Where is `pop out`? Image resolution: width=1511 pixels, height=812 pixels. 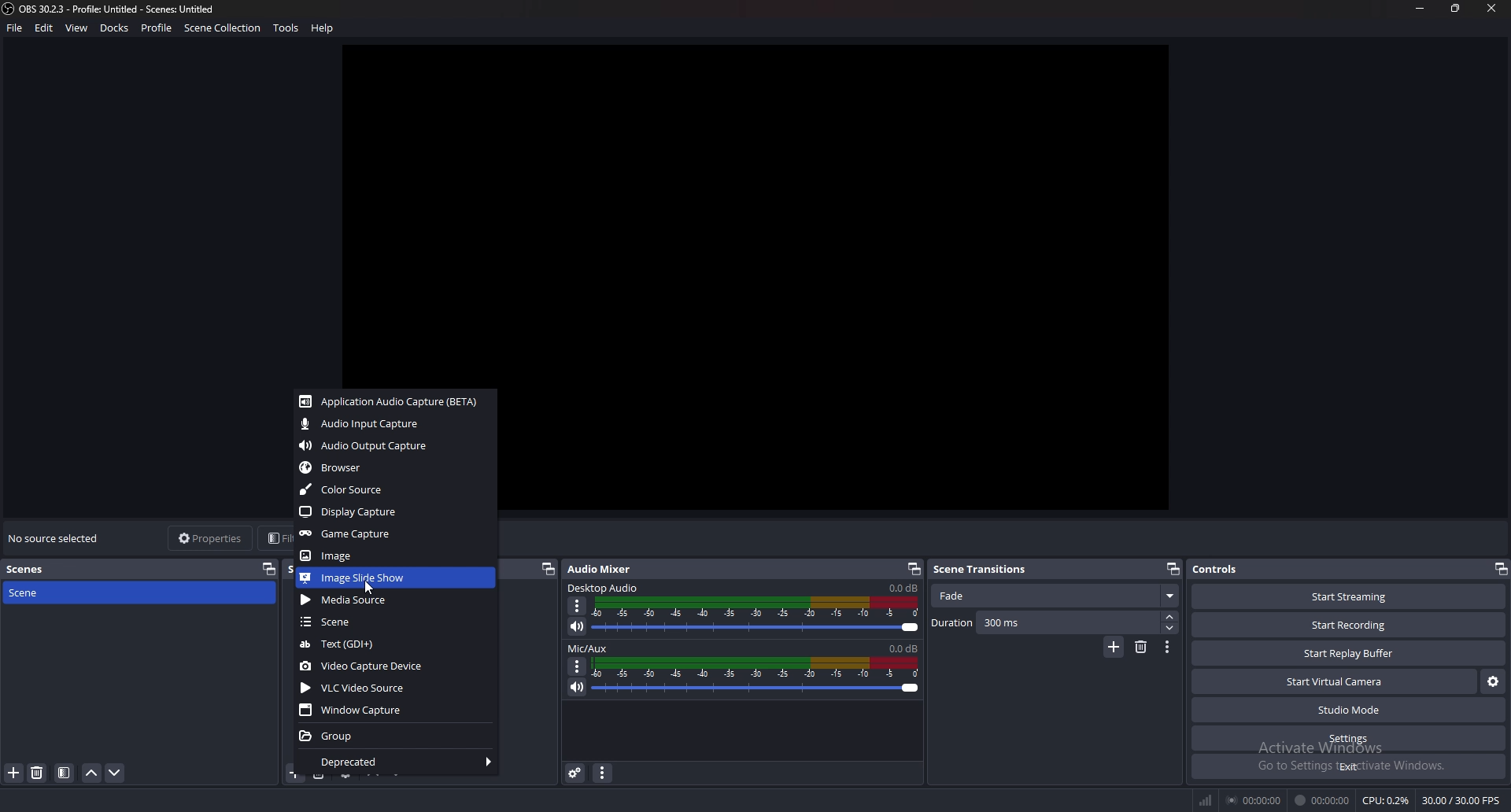
pop out is located at coordinates (269, 569).